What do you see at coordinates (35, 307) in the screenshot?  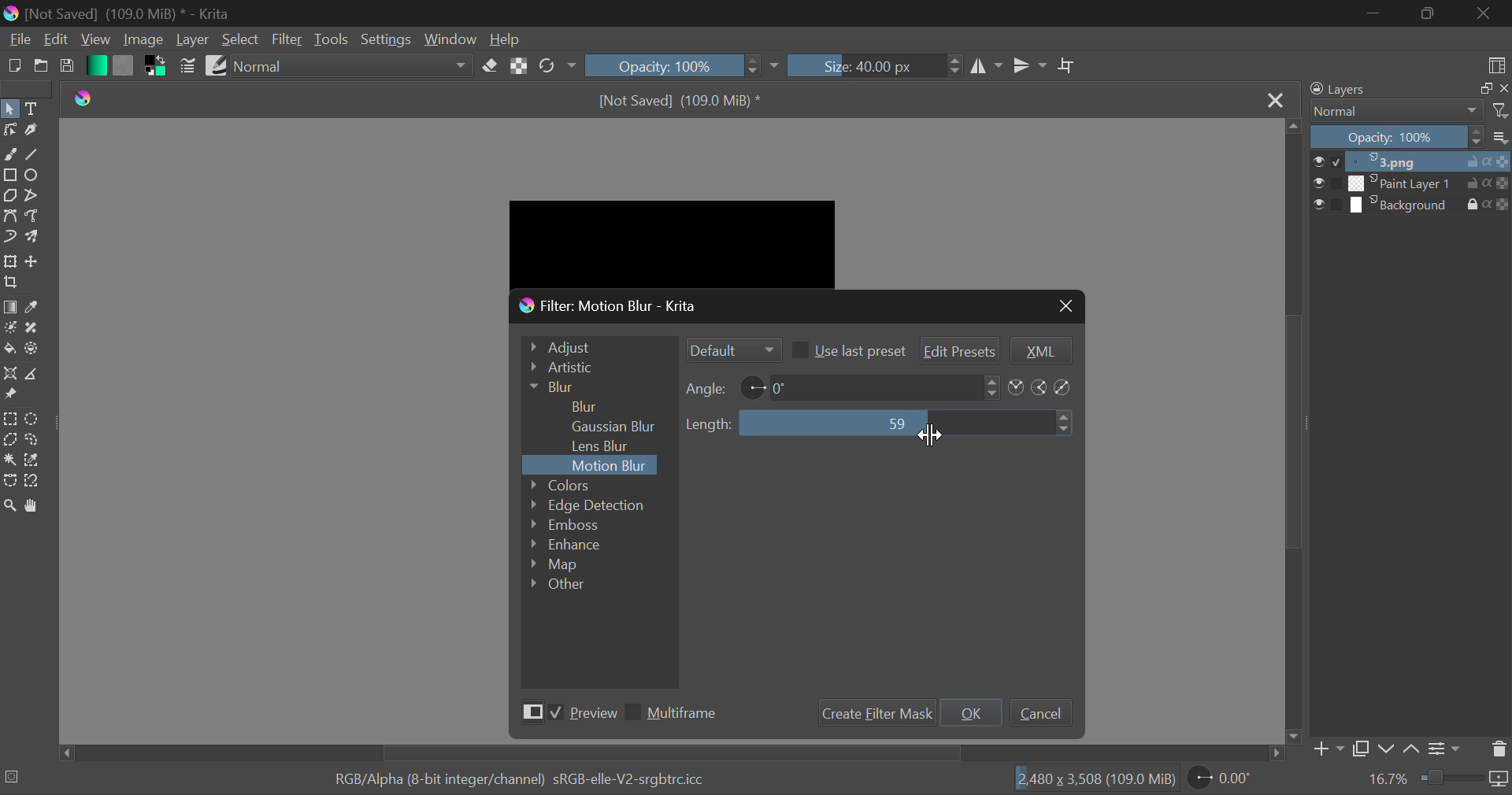 I see `Eyedropper` at bounding box center [35, 307].